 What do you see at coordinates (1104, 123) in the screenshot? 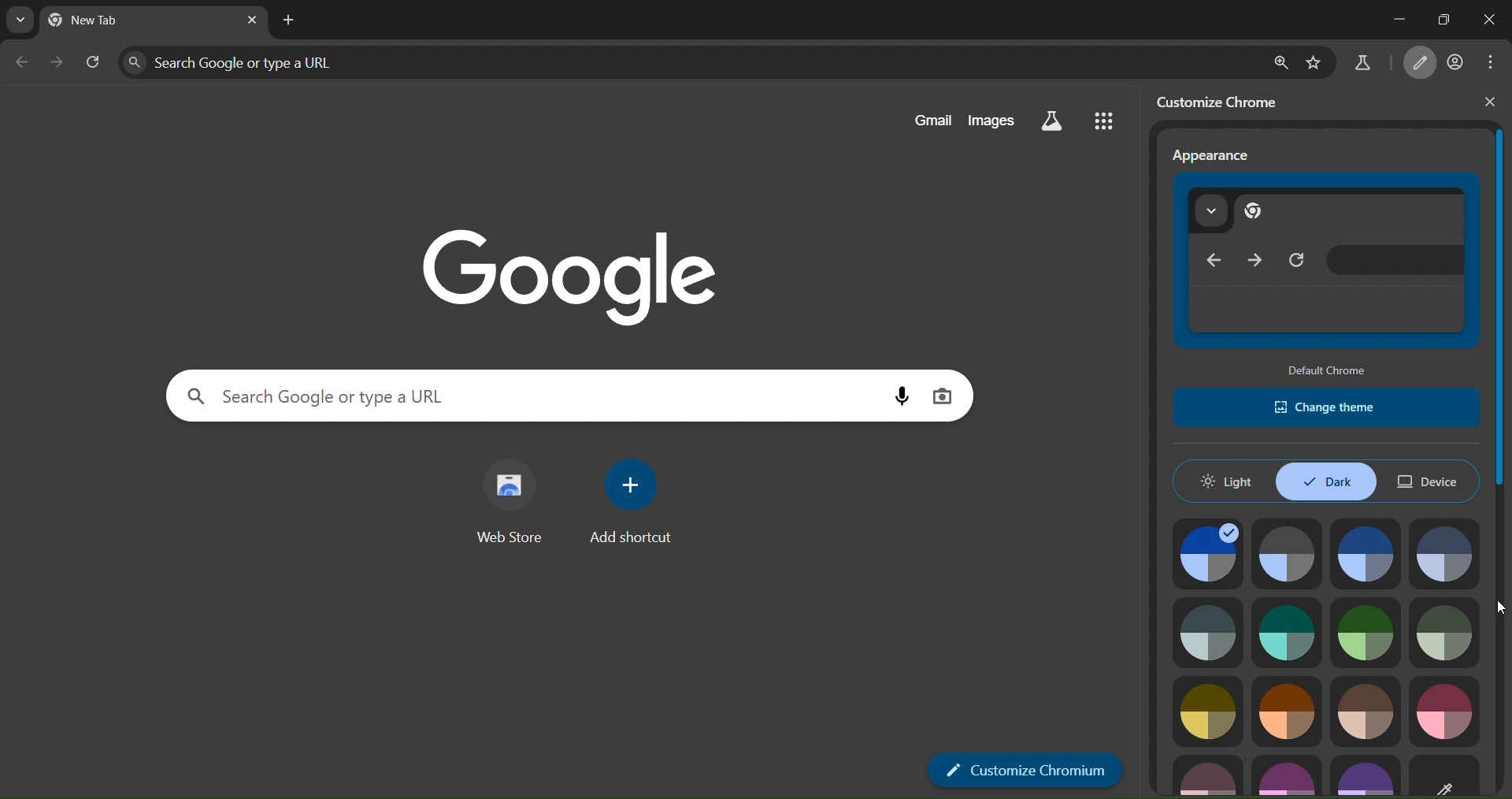
I see `menu` at bounding box center [1104, 123].